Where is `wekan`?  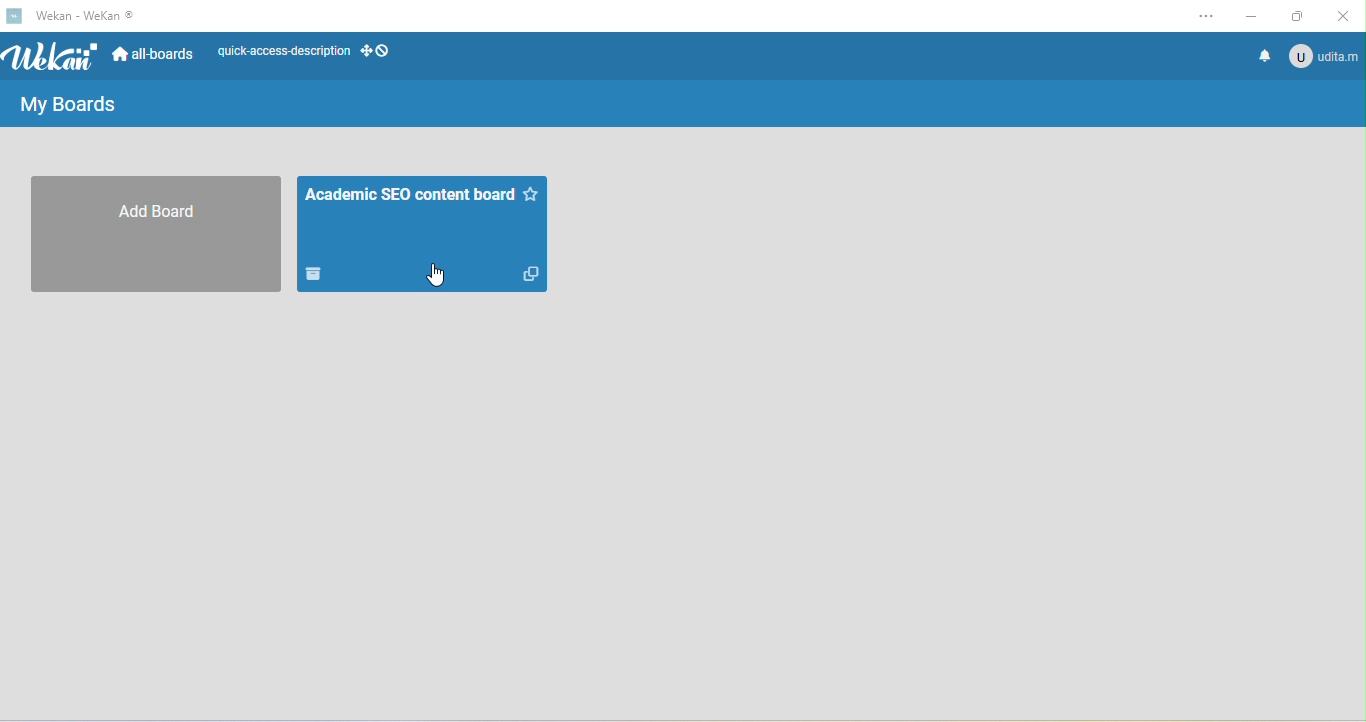
wekan is located at coordinates (53, 58).